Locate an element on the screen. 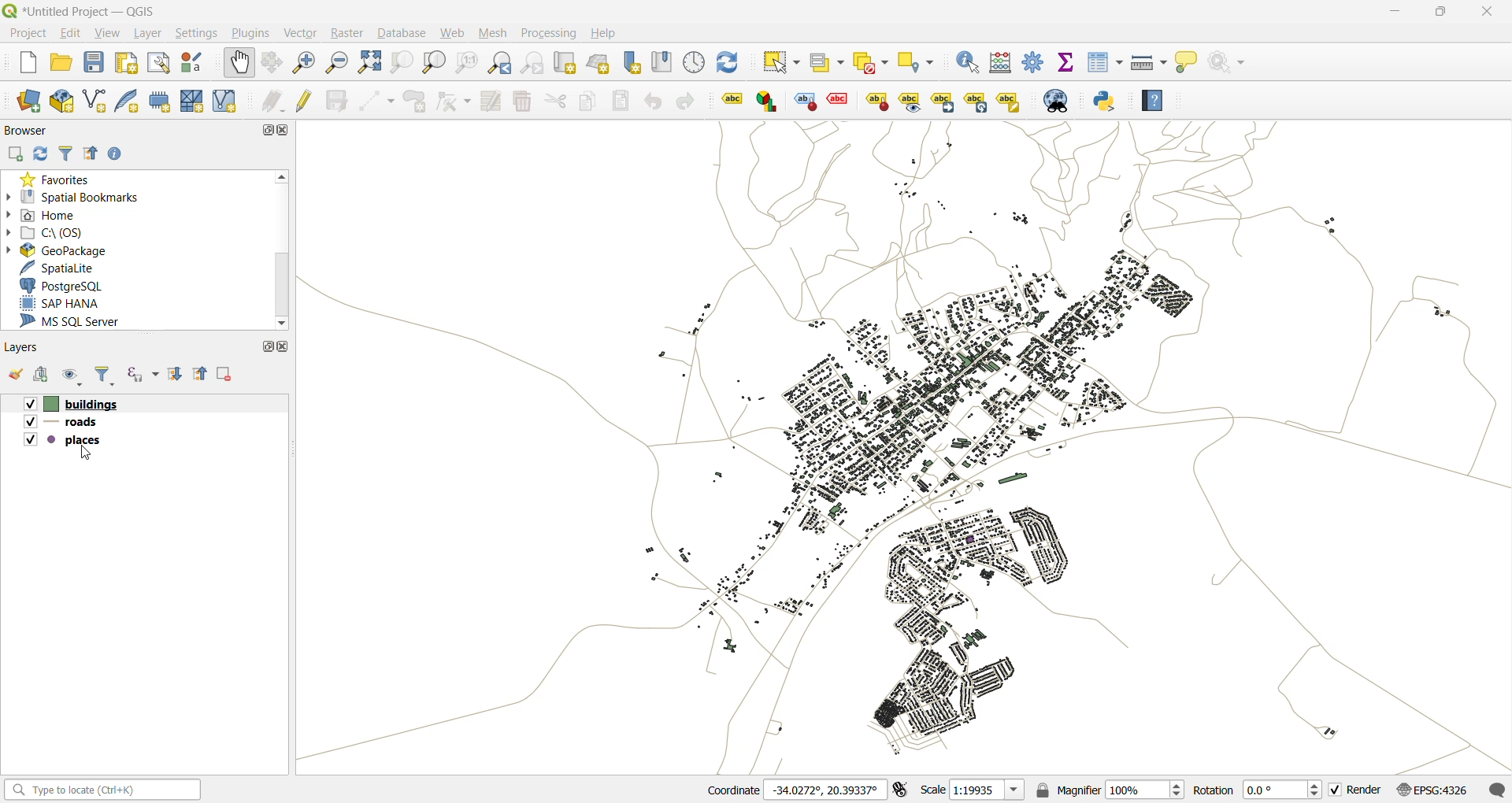 The width and height of the screenshot is (1512, 803). browser is located at coordinates (24, 130).